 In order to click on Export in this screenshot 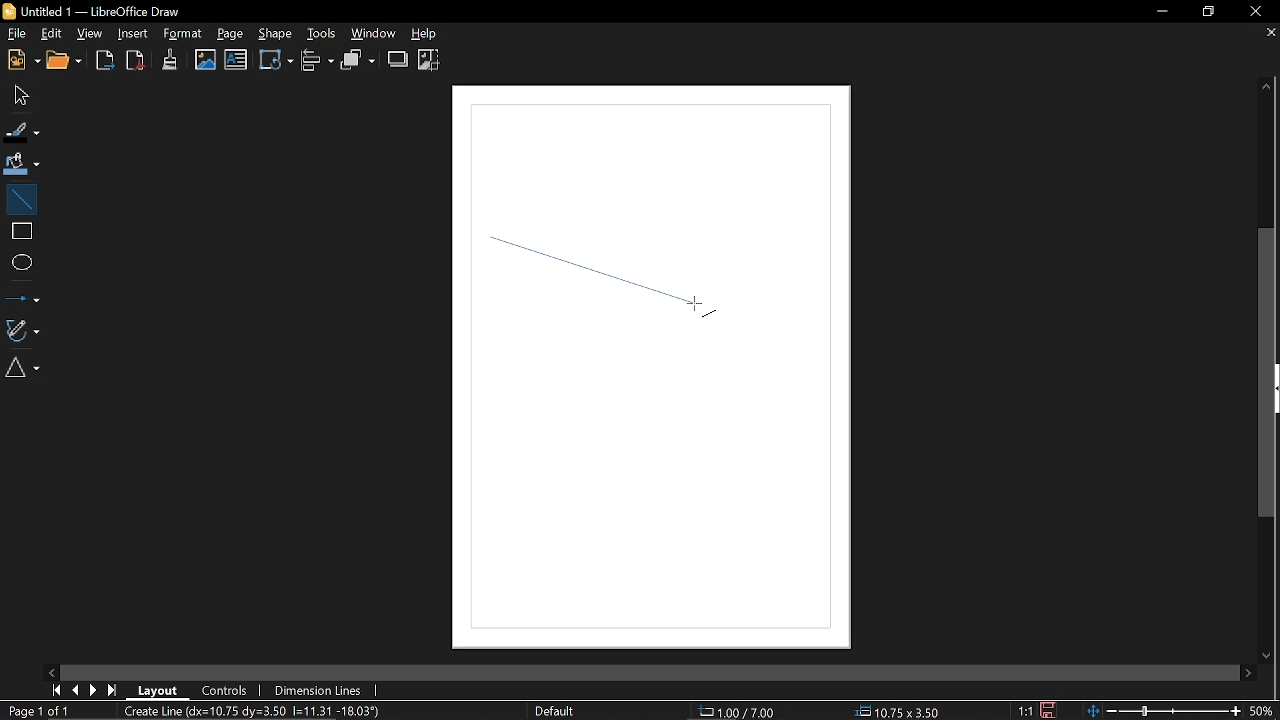, I will do `click(105, 62)`.